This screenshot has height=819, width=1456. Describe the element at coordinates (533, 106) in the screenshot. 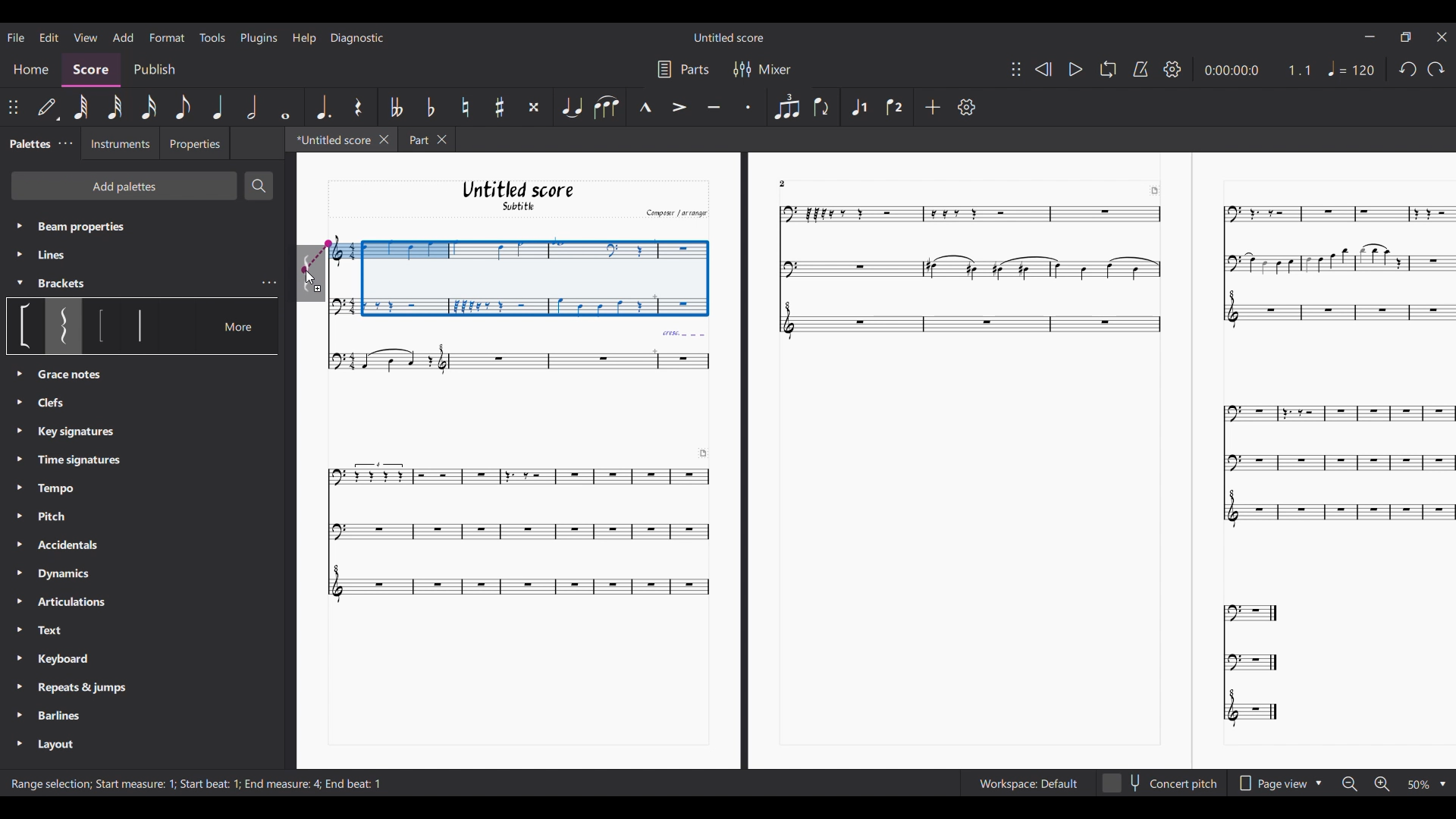

I see `Toggle double sharp` at that location.